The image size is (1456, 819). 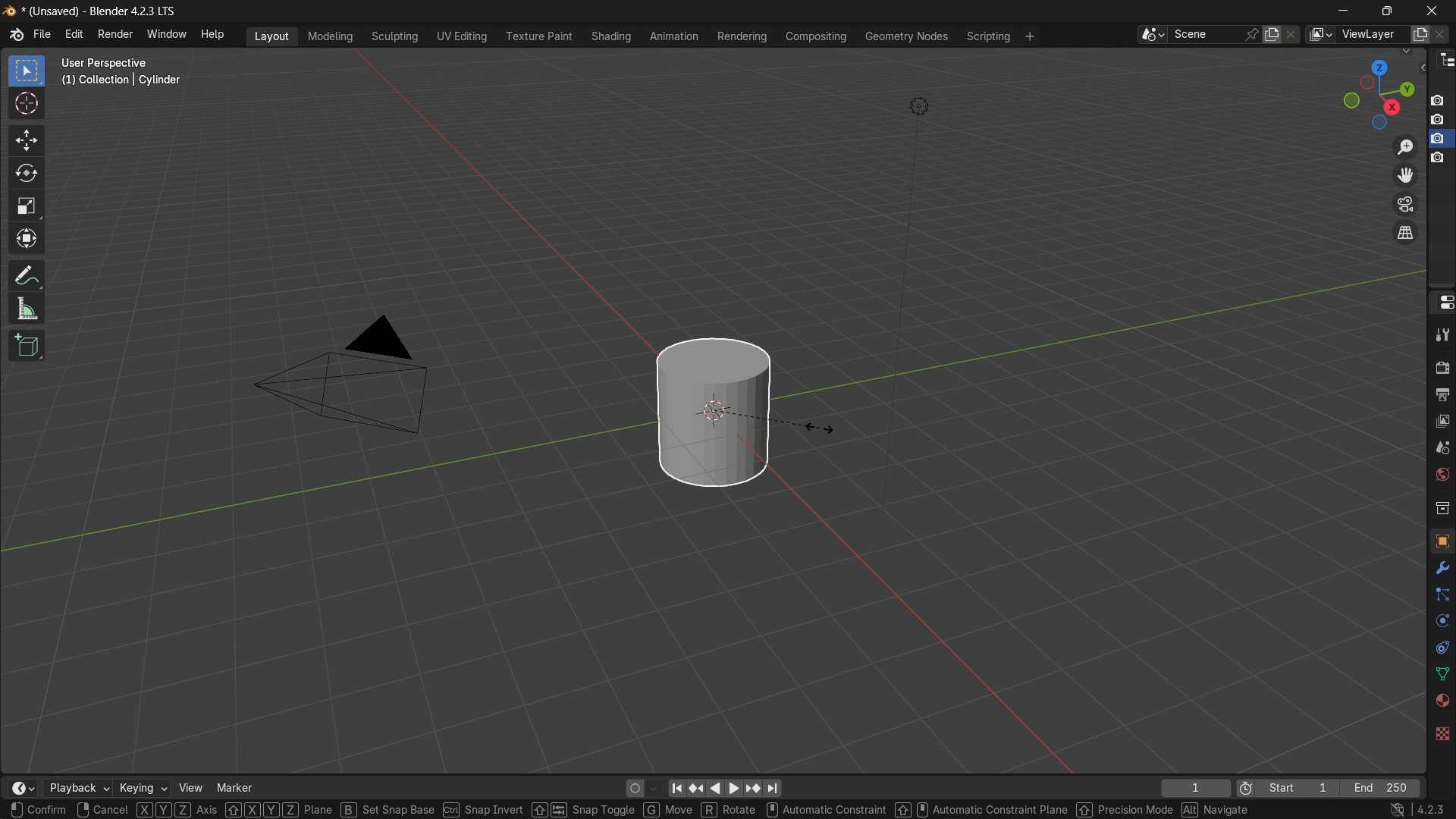 I want to click on use R for rotate, so click(x=730, y=810).